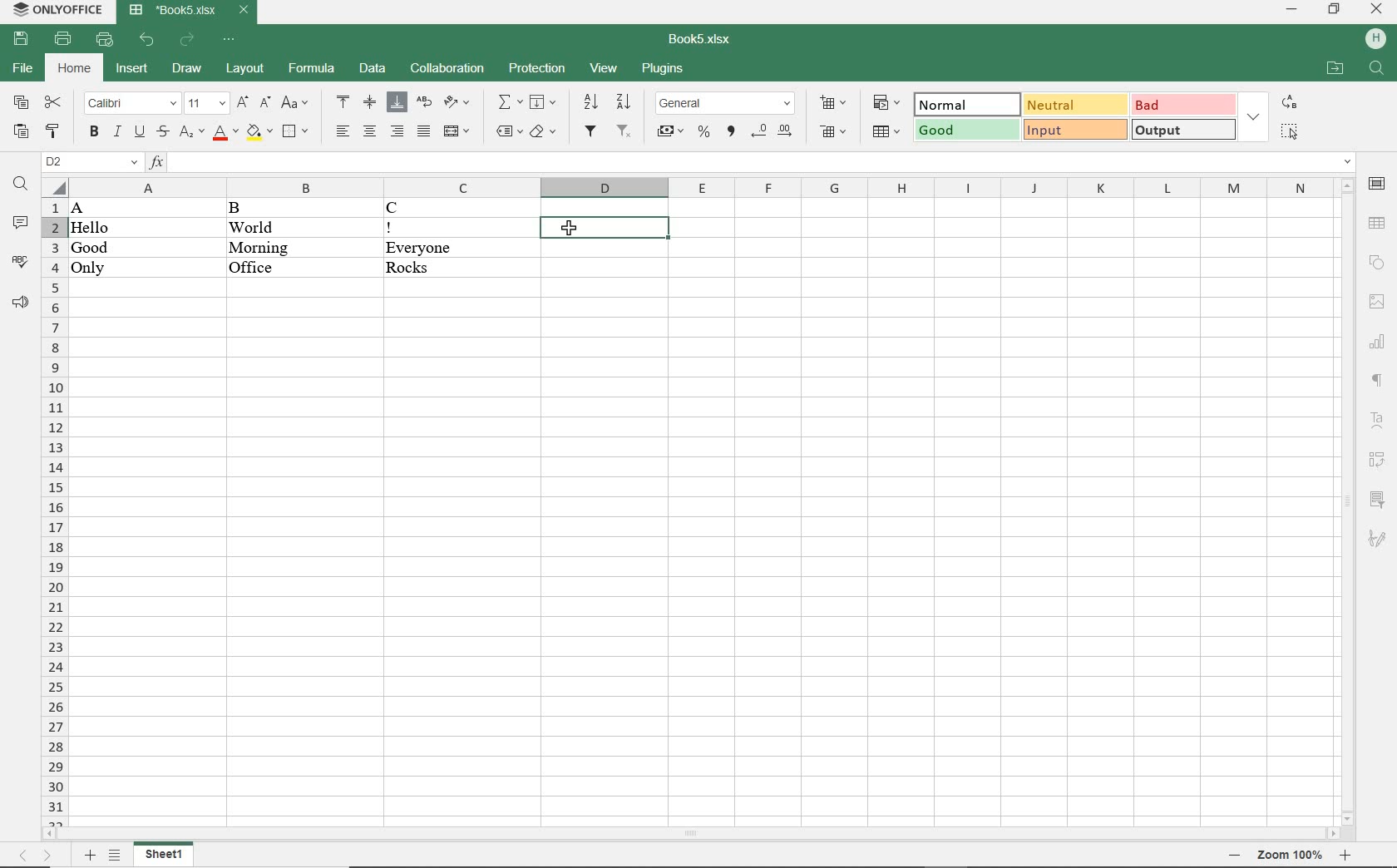 This screenshot has height=868, width=1397. I want to click on DATA, so click(269, 239).